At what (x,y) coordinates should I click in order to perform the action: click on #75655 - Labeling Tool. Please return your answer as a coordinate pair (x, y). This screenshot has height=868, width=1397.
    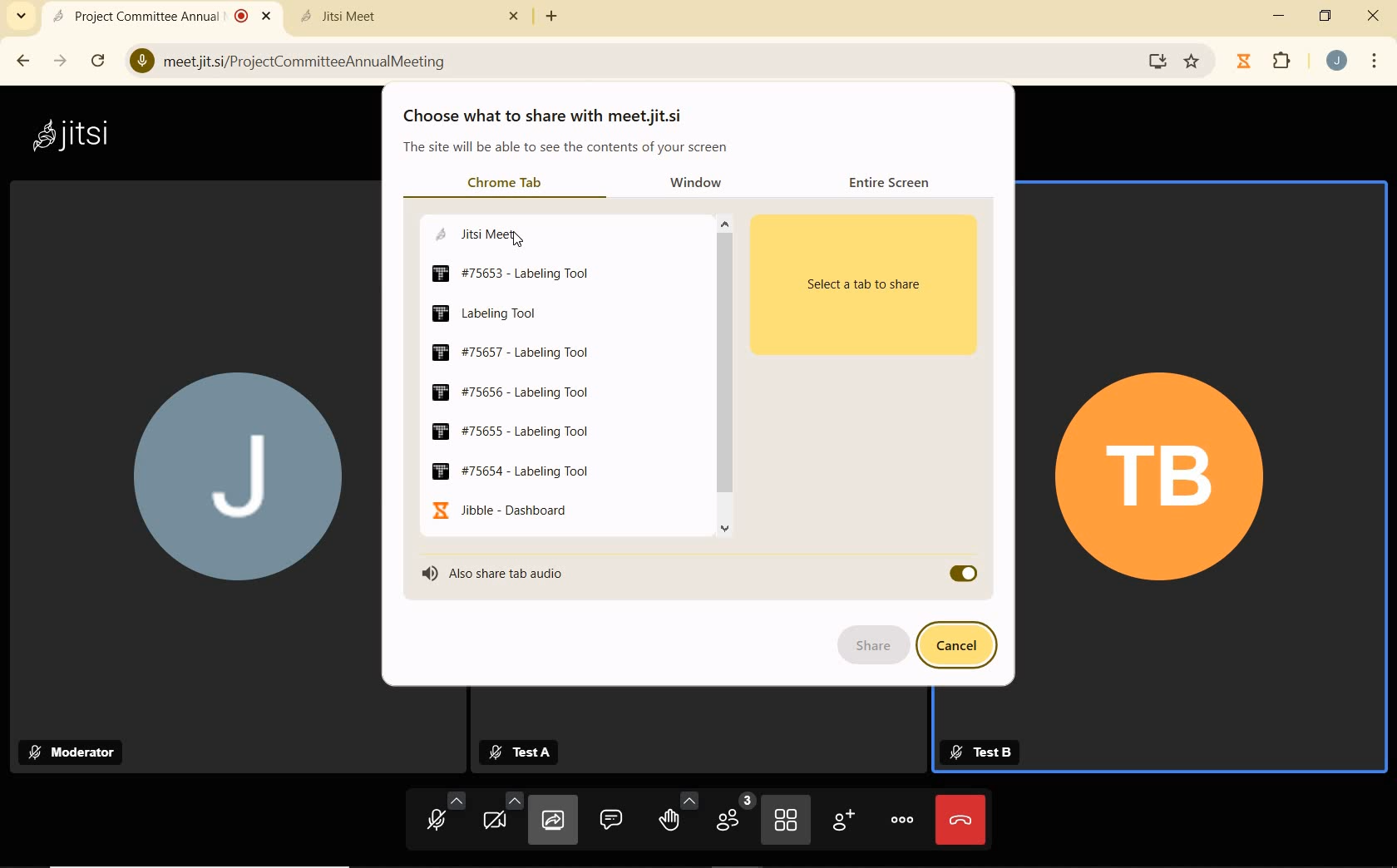
    Looking at the image, I should click on (511, 432).